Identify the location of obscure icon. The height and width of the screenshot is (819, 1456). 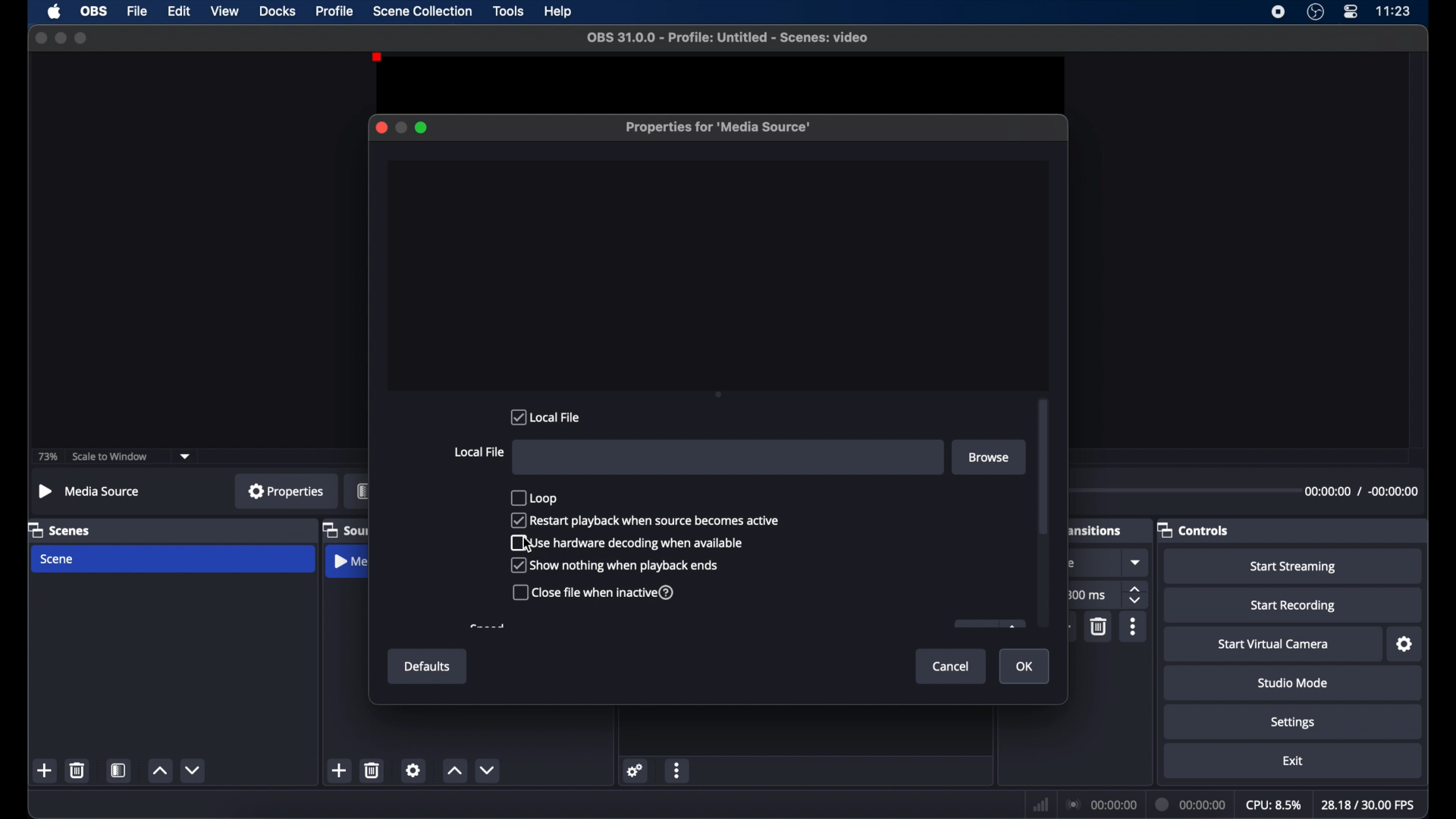
(989, 624).